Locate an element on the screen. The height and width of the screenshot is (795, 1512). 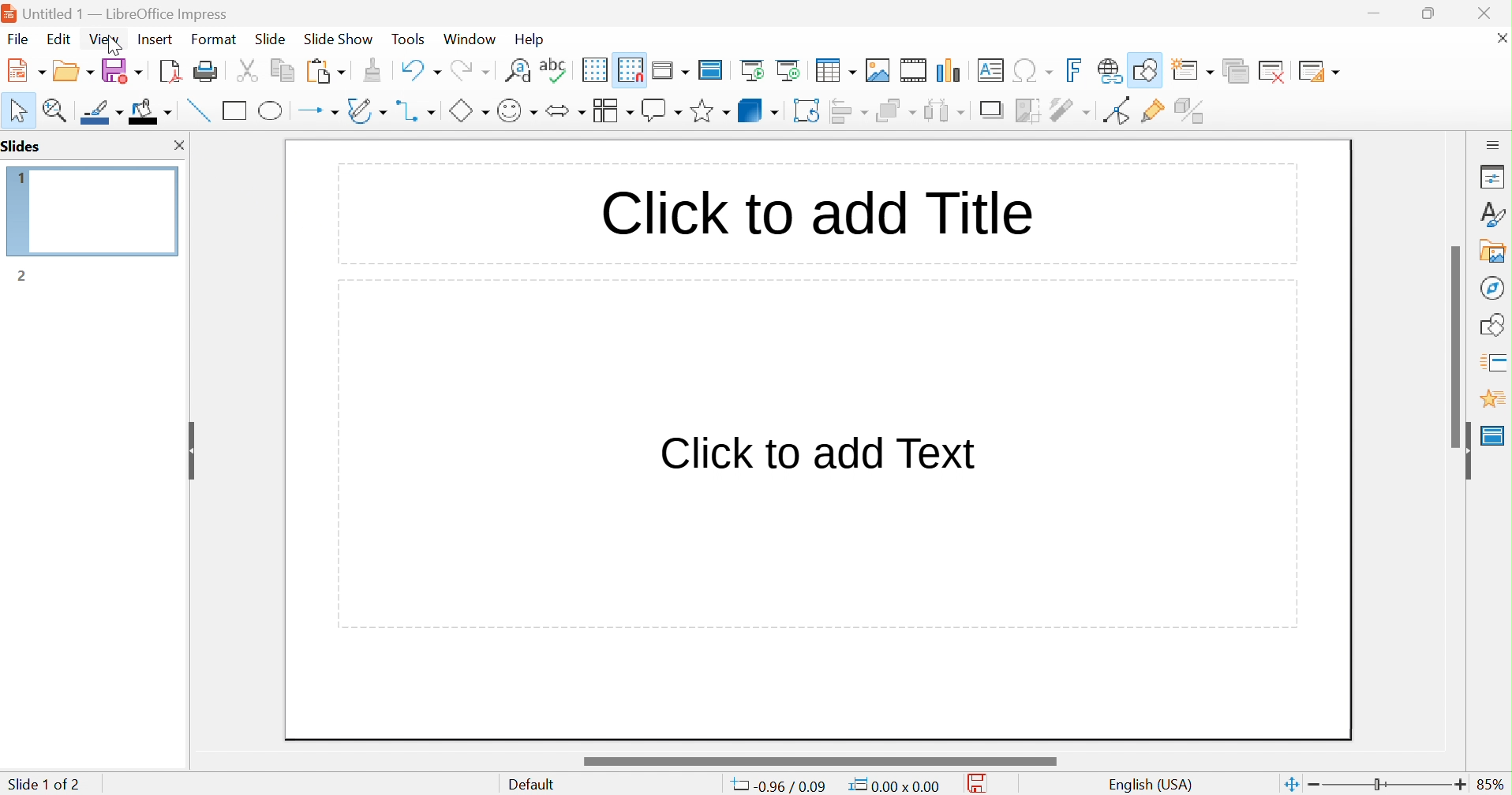
close is located at coordinates (1493, 13).